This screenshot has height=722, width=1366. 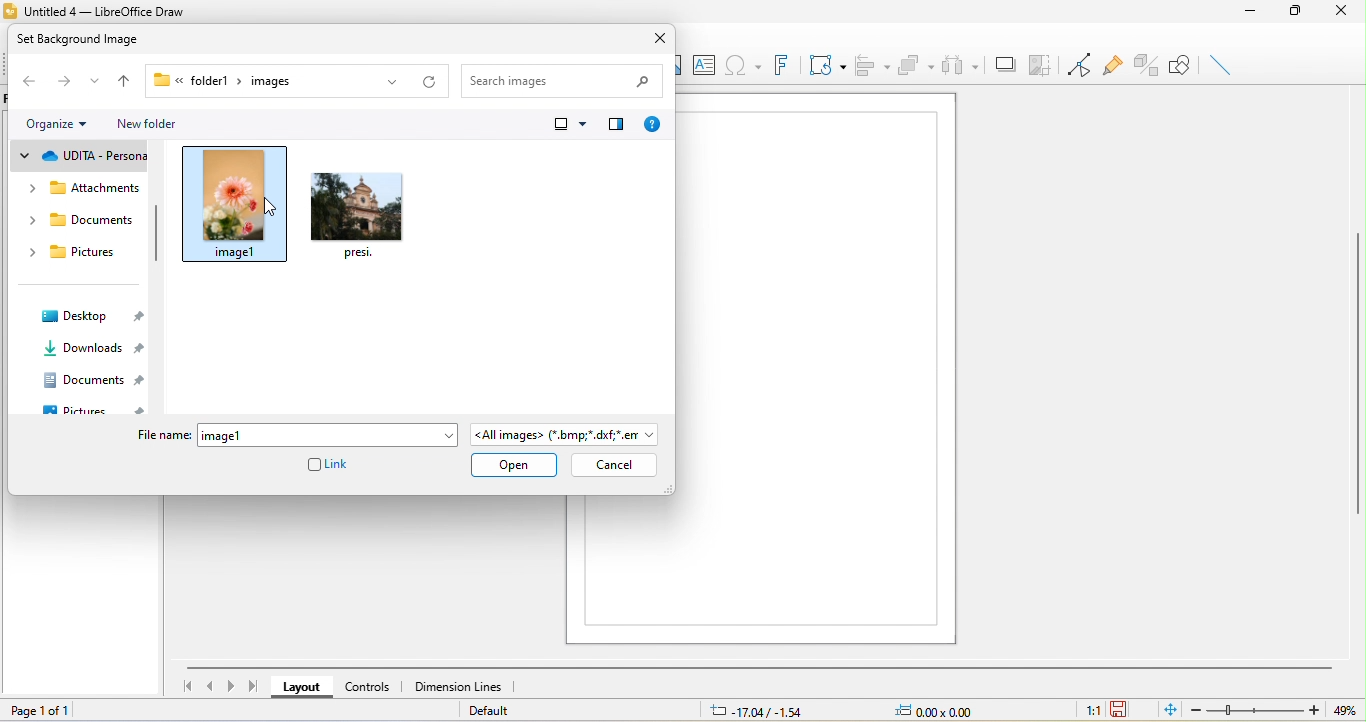 I want to click on refresh, so click(x=424, y=80).